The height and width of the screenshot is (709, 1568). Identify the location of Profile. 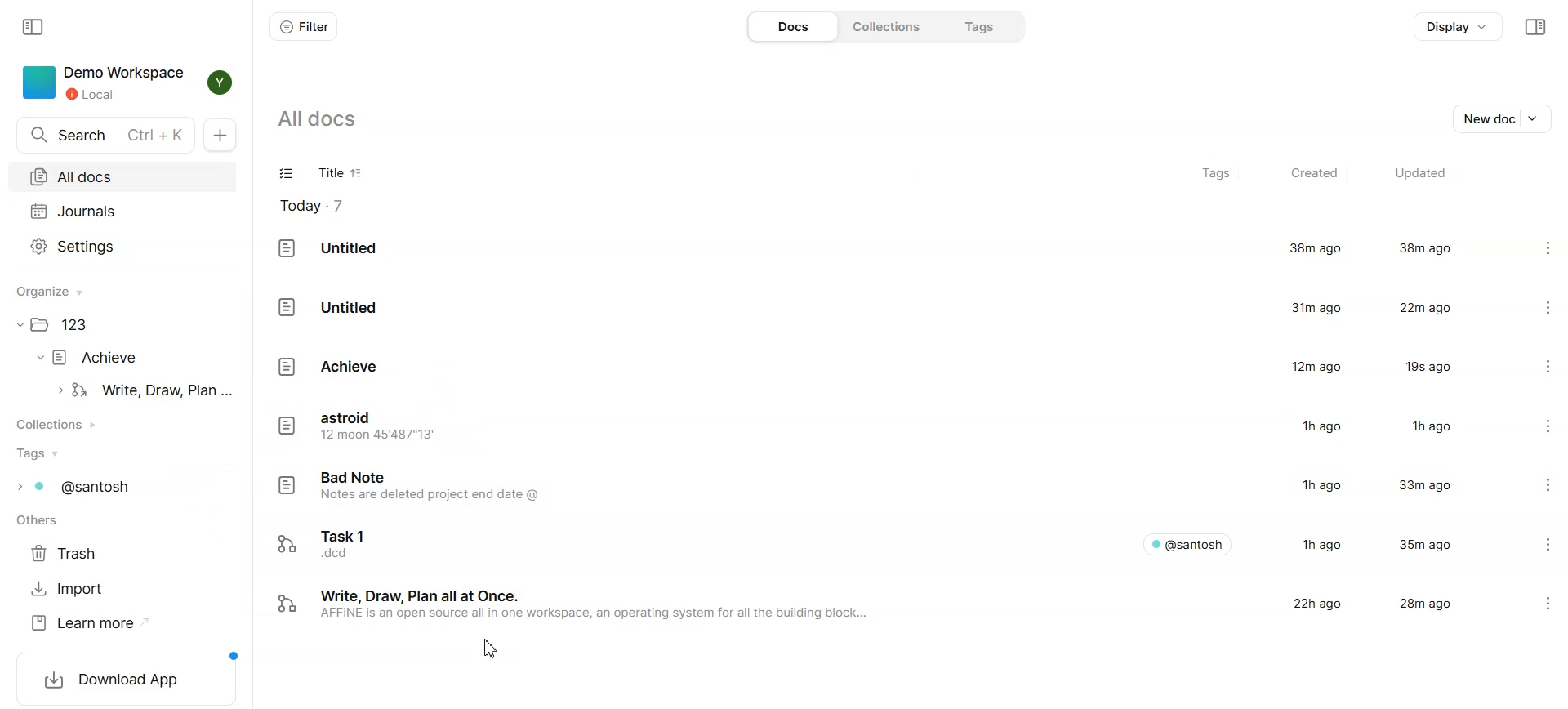
(216, 82).